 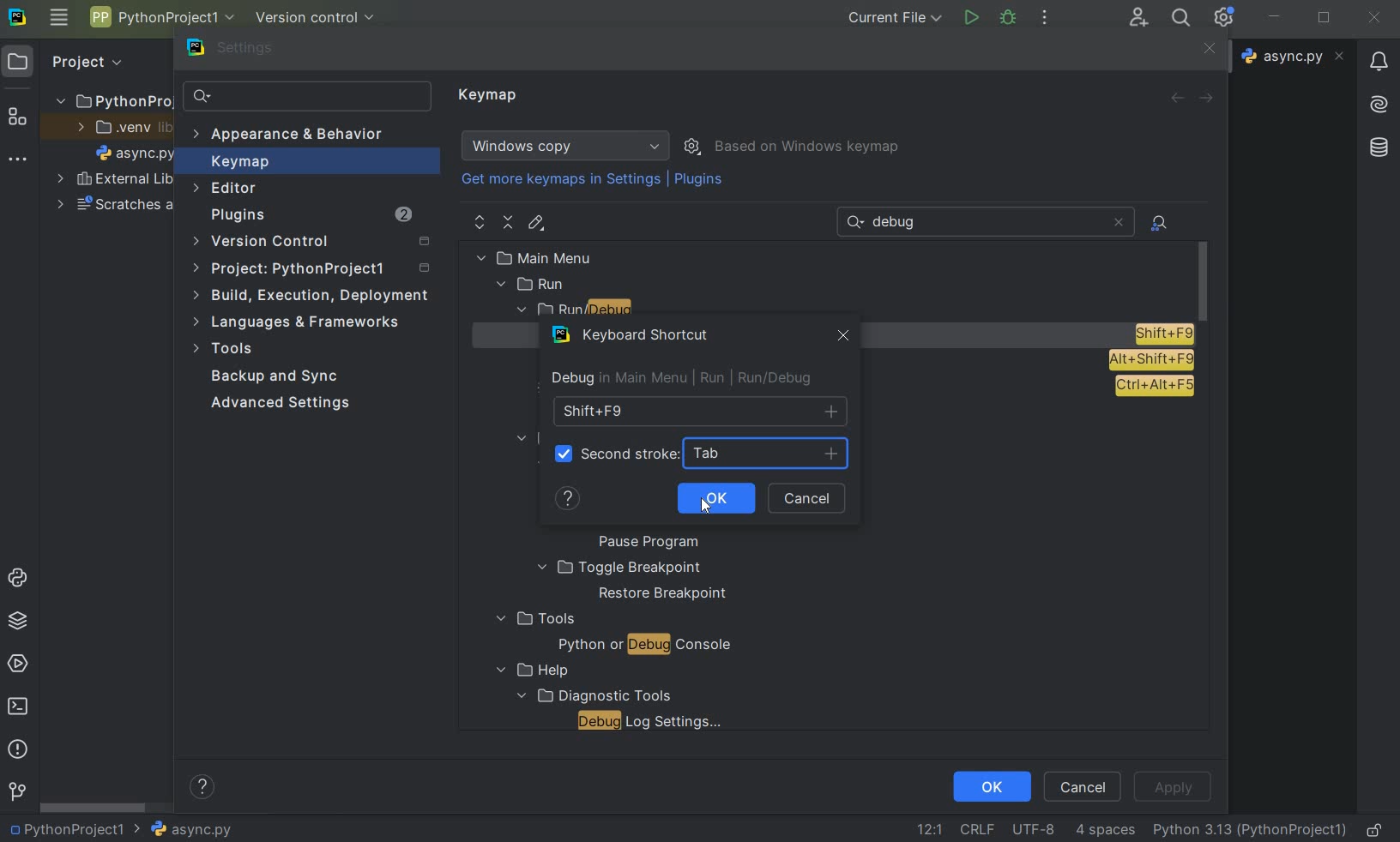 What do you see at coordinates (1035, 828) in the screenshot?
I see `file encoding` at bounding box center [1035, 828].